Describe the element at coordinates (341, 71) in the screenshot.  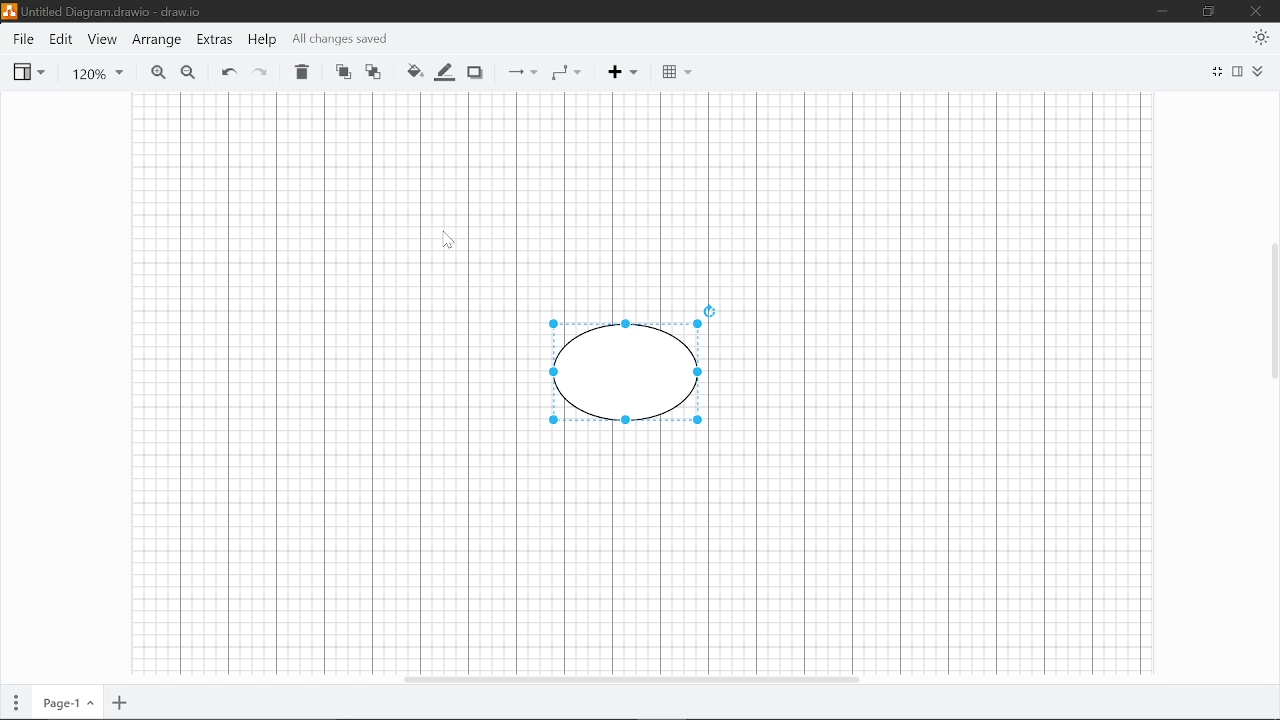
I see `Move front` at that location.